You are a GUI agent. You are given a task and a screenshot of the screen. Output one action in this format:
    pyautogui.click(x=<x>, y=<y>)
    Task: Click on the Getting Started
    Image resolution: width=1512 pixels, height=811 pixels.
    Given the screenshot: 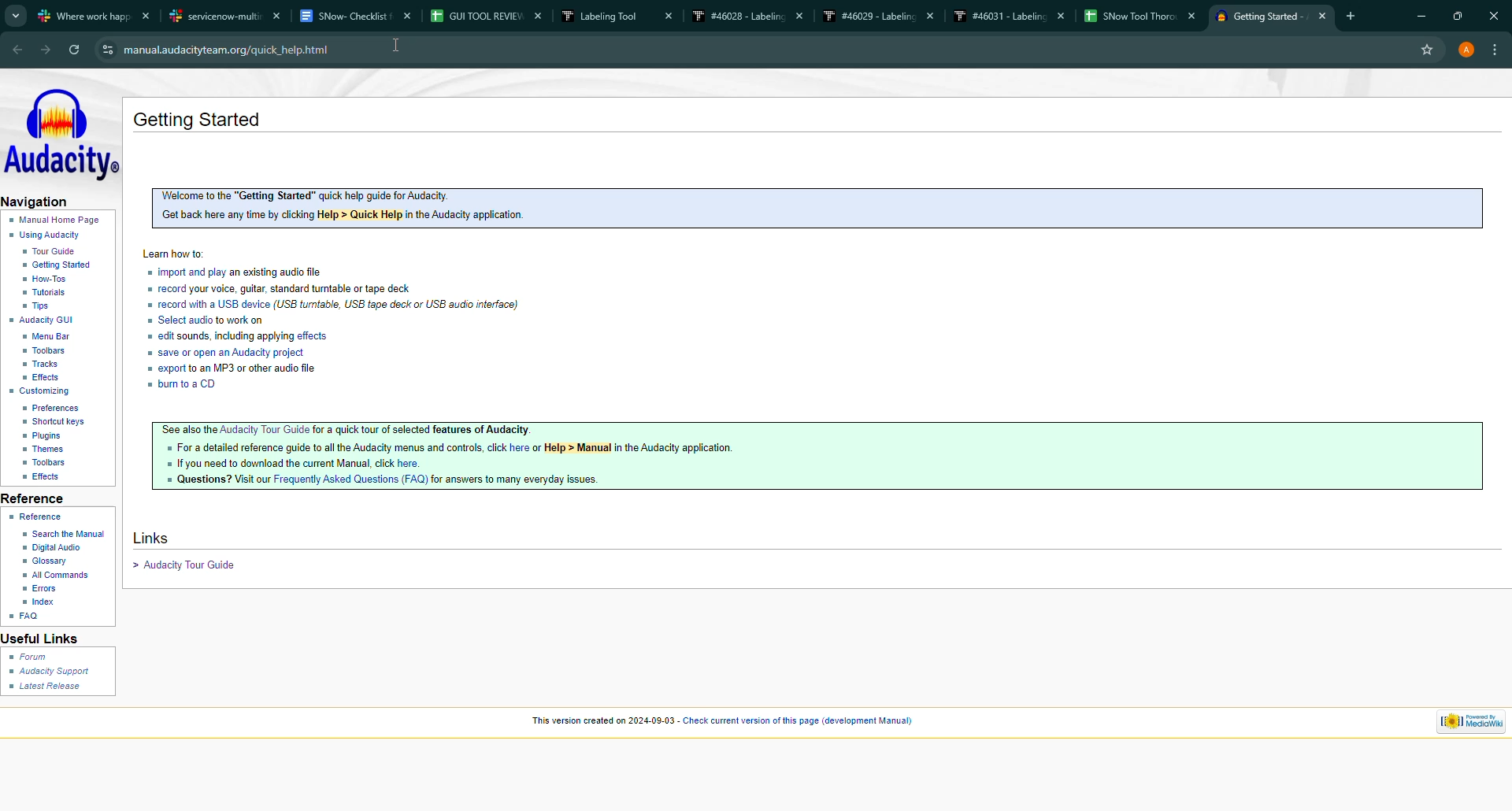 What is the action you would take?
    pyautogui.click(x=1273, y=17)
    